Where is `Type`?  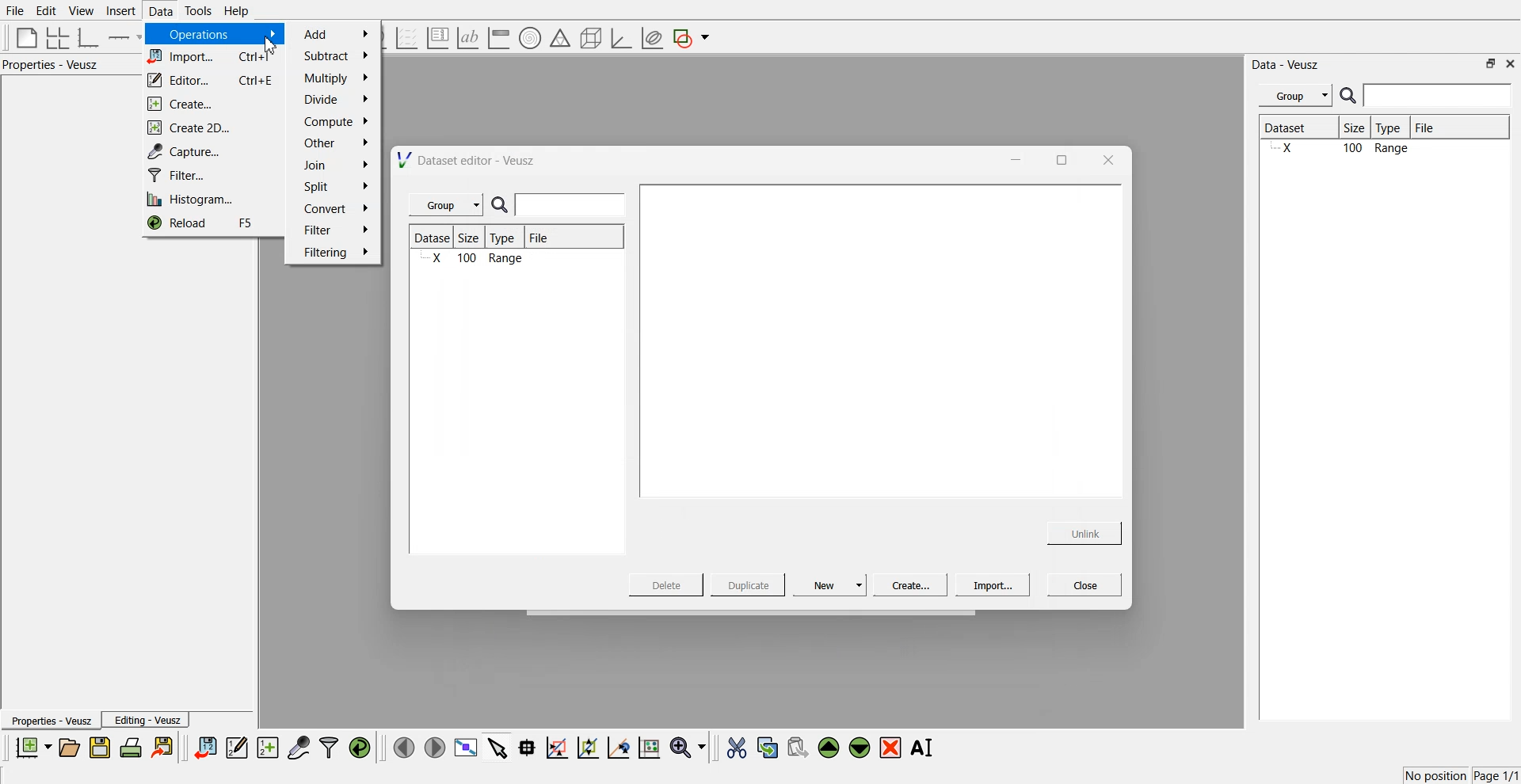
Type is located at coordinates (507, 238).